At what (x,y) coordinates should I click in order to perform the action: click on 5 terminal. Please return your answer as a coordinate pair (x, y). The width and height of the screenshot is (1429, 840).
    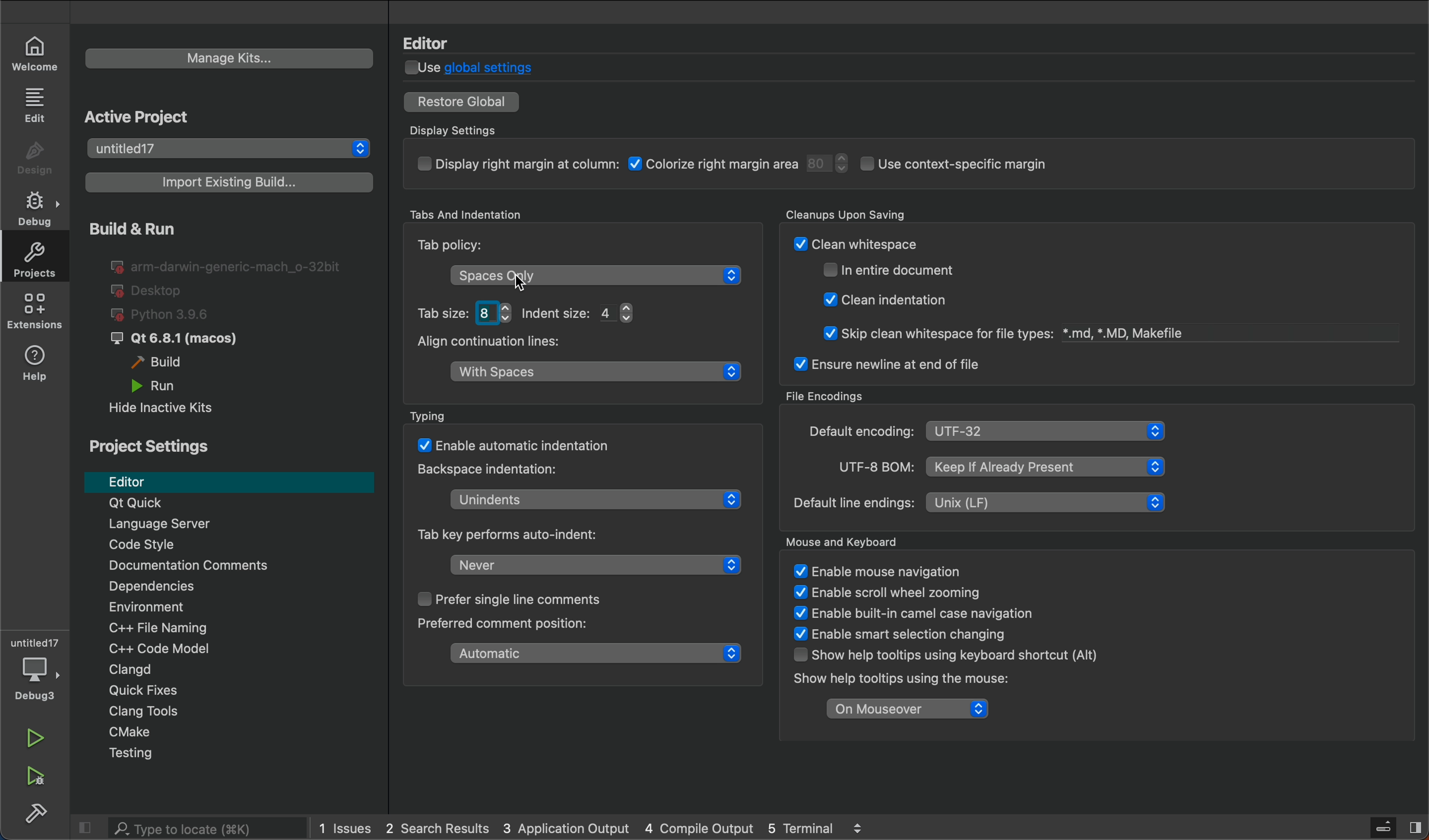
    Looking at the image, I should click on (838, 828).